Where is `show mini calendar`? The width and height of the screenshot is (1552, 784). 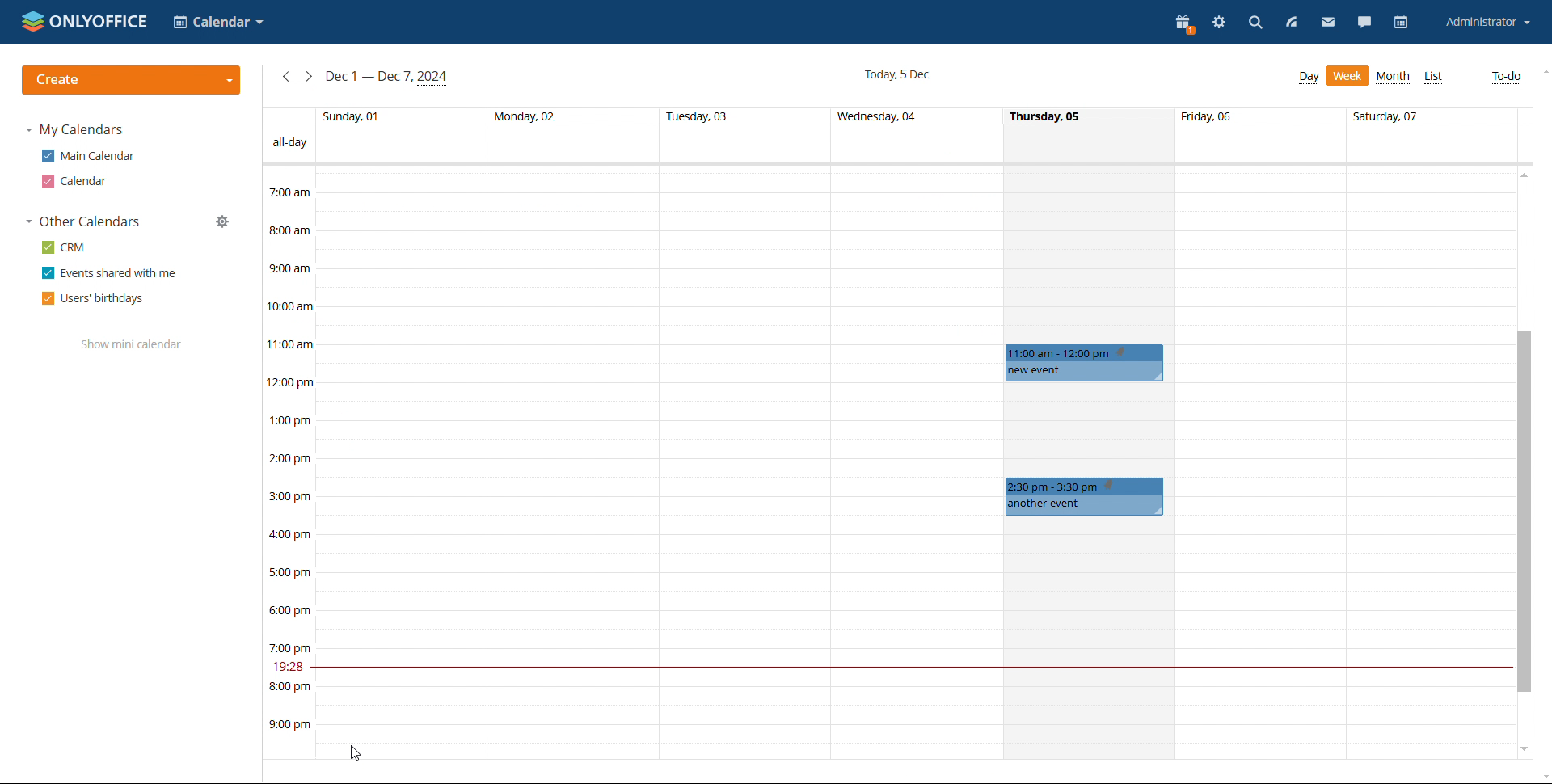 show mini calendar is located at coordinates (132, 345).